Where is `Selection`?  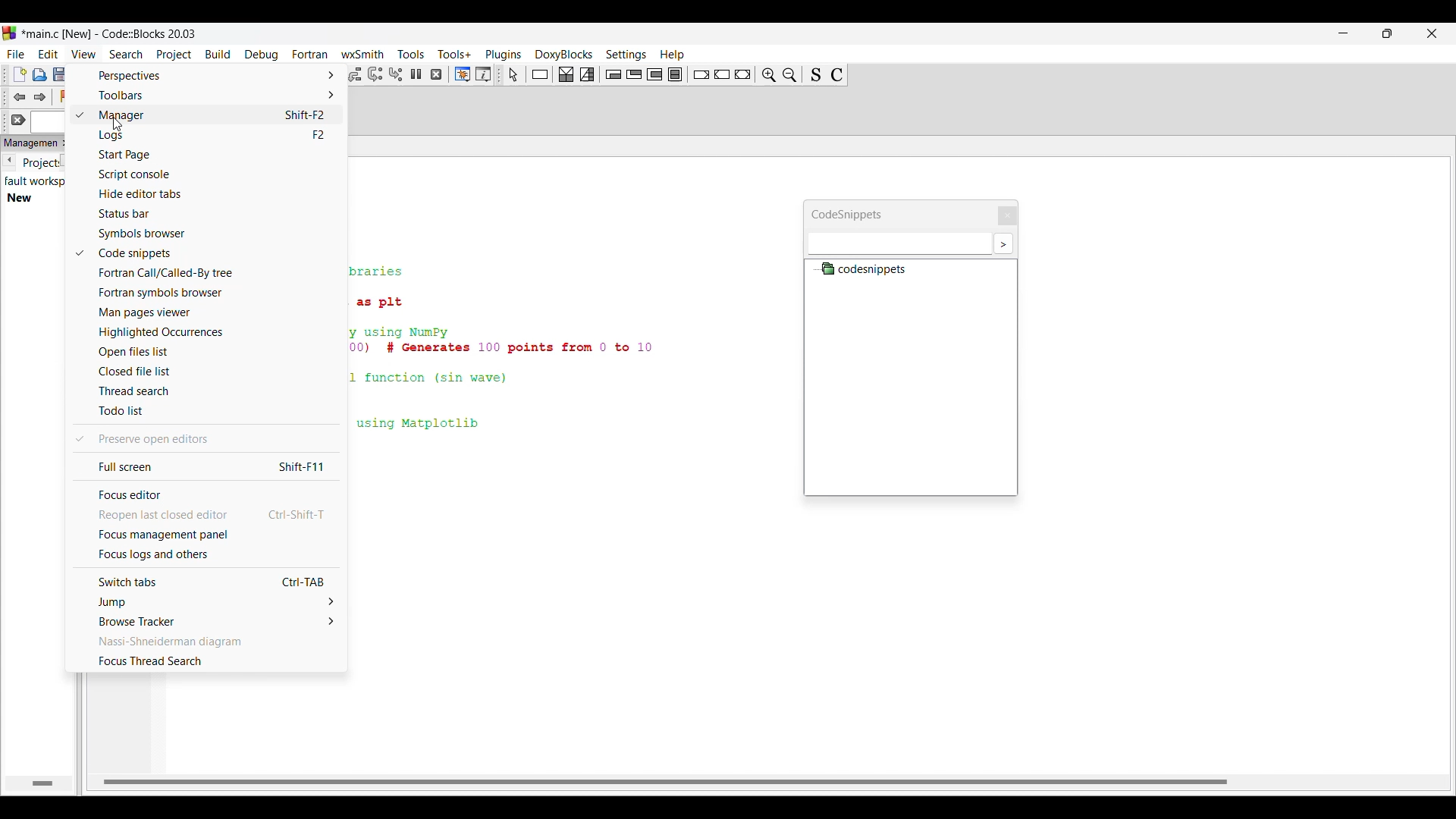 Selection is located at coordinates (587, 74).